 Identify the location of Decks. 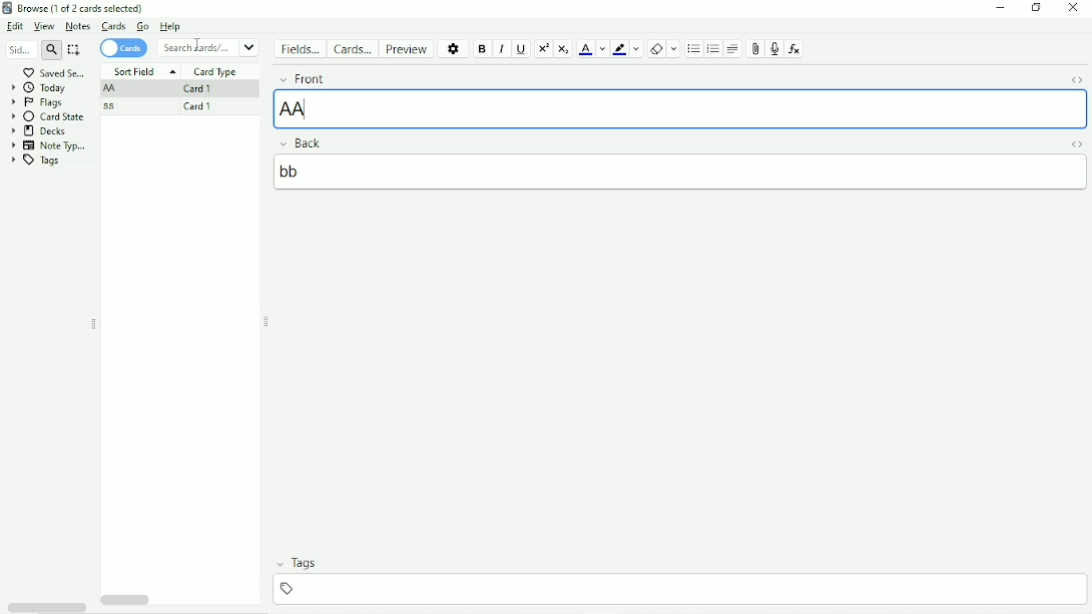
(39, 131).